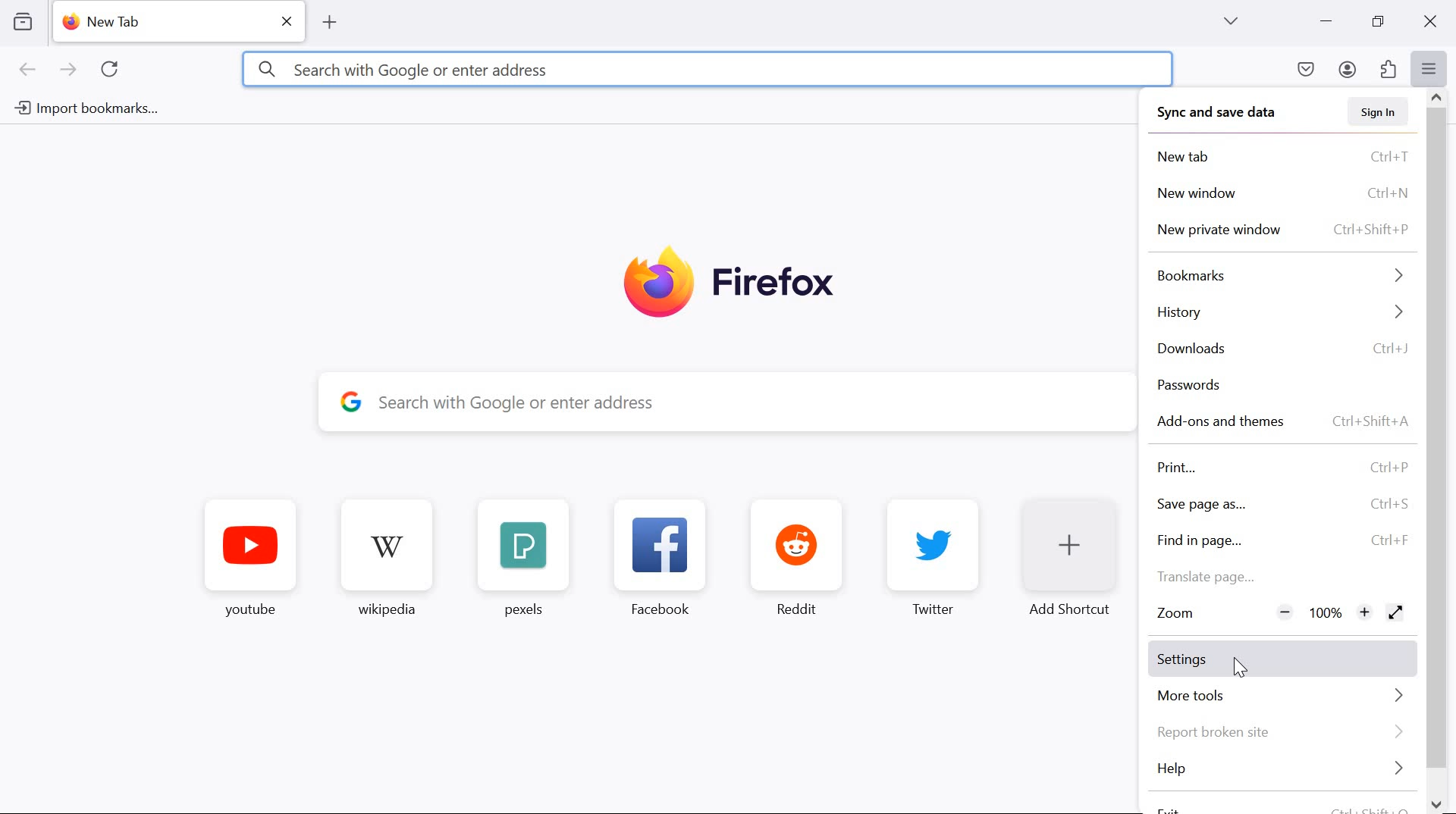 The width and height of the screenshot is (1456, 814). I want to click on more tools, so click(1283, 697).